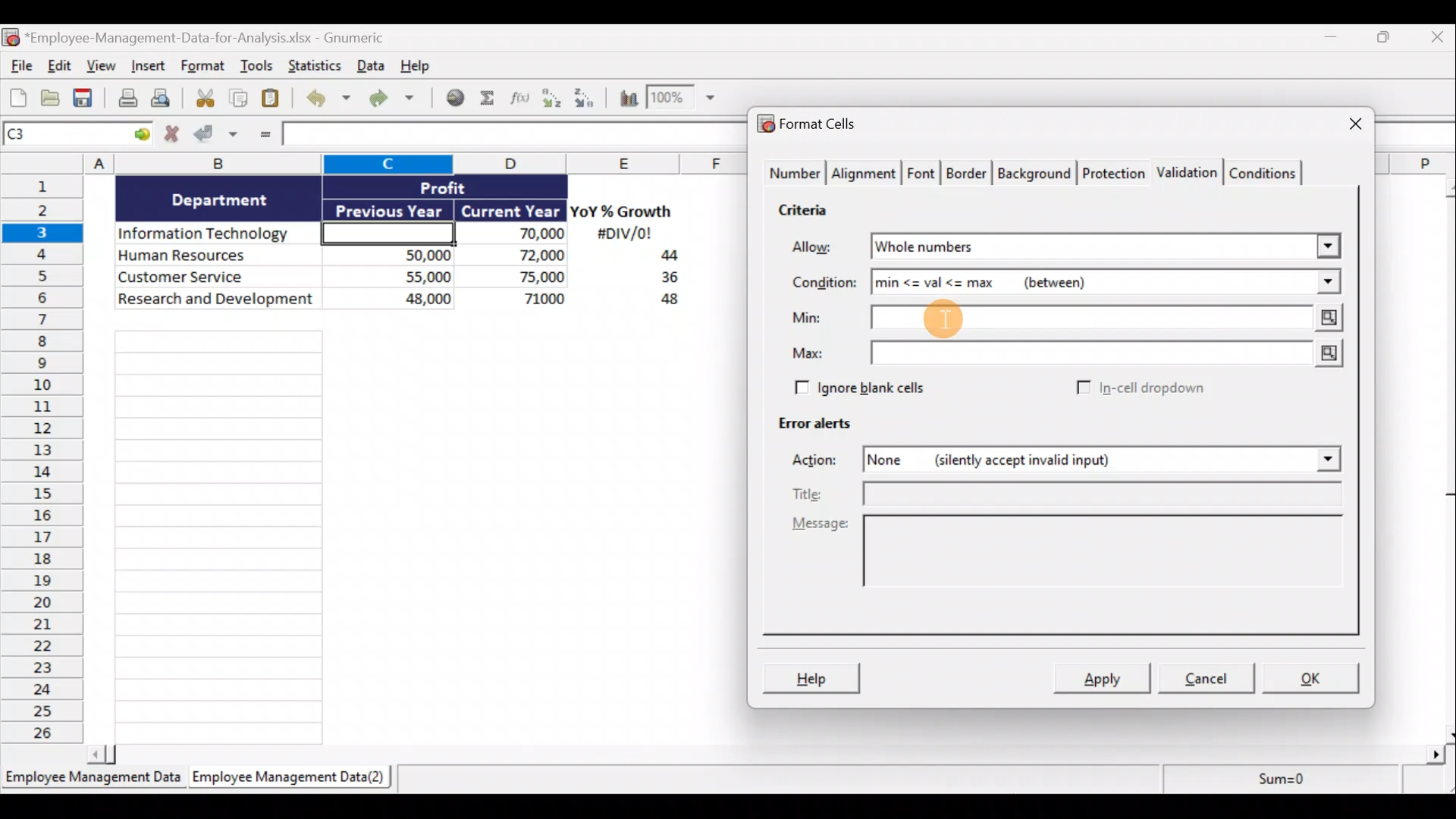 This screenshot has height=819, width=1456. I want to click on 72,000, so click(518, 256).